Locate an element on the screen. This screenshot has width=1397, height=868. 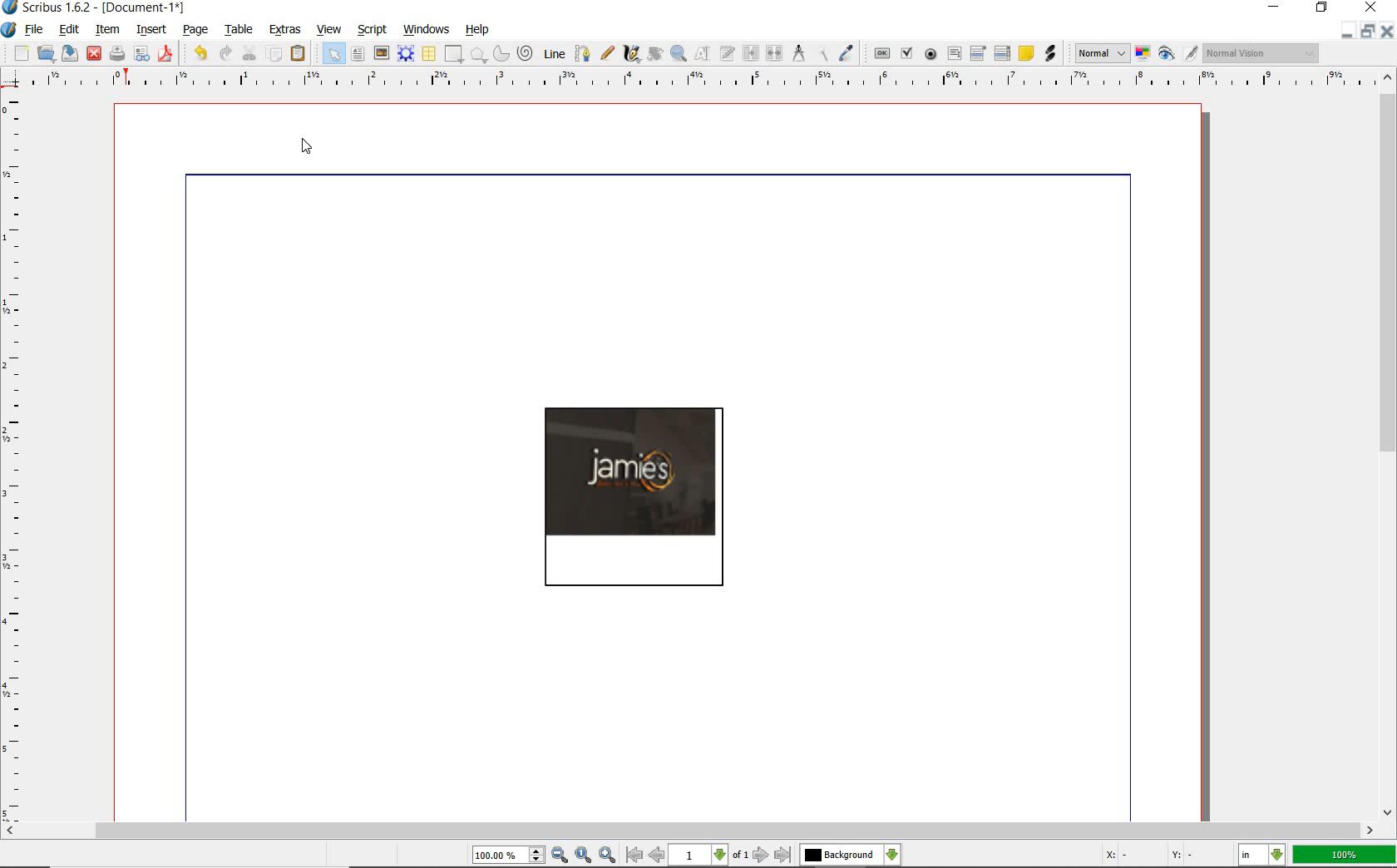
link annotation is located at coordinates (1050, 55).